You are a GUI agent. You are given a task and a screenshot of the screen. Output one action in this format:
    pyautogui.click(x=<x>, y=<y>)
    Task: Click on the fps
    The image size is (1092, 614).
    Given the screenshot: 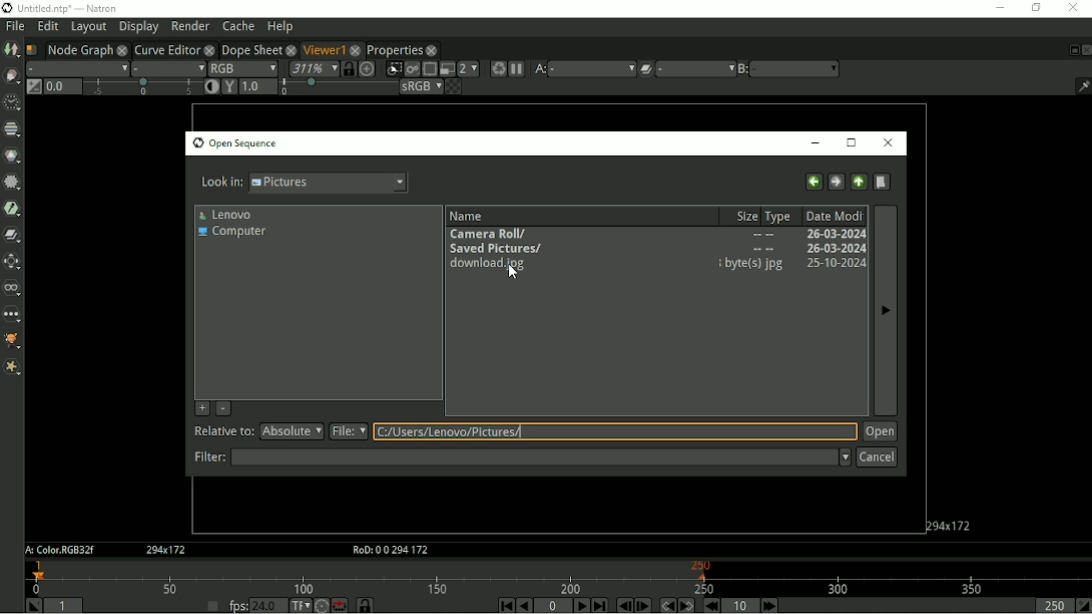 What is the action you would take?
    pyautogui.click(x=237, y=606)
    